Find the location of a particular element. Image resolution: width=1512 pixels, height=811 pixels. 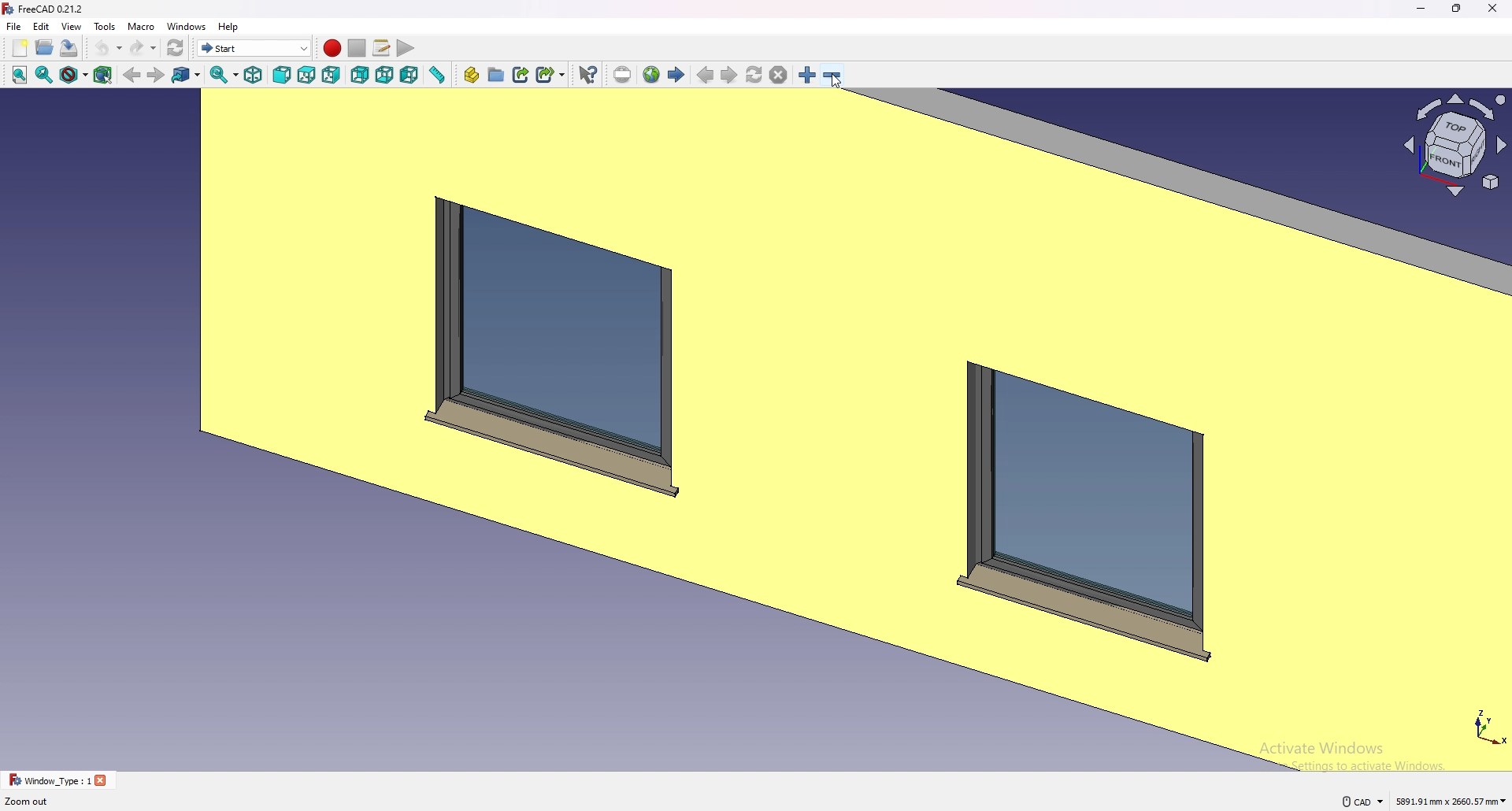

help is located at coordinates (229, 26).